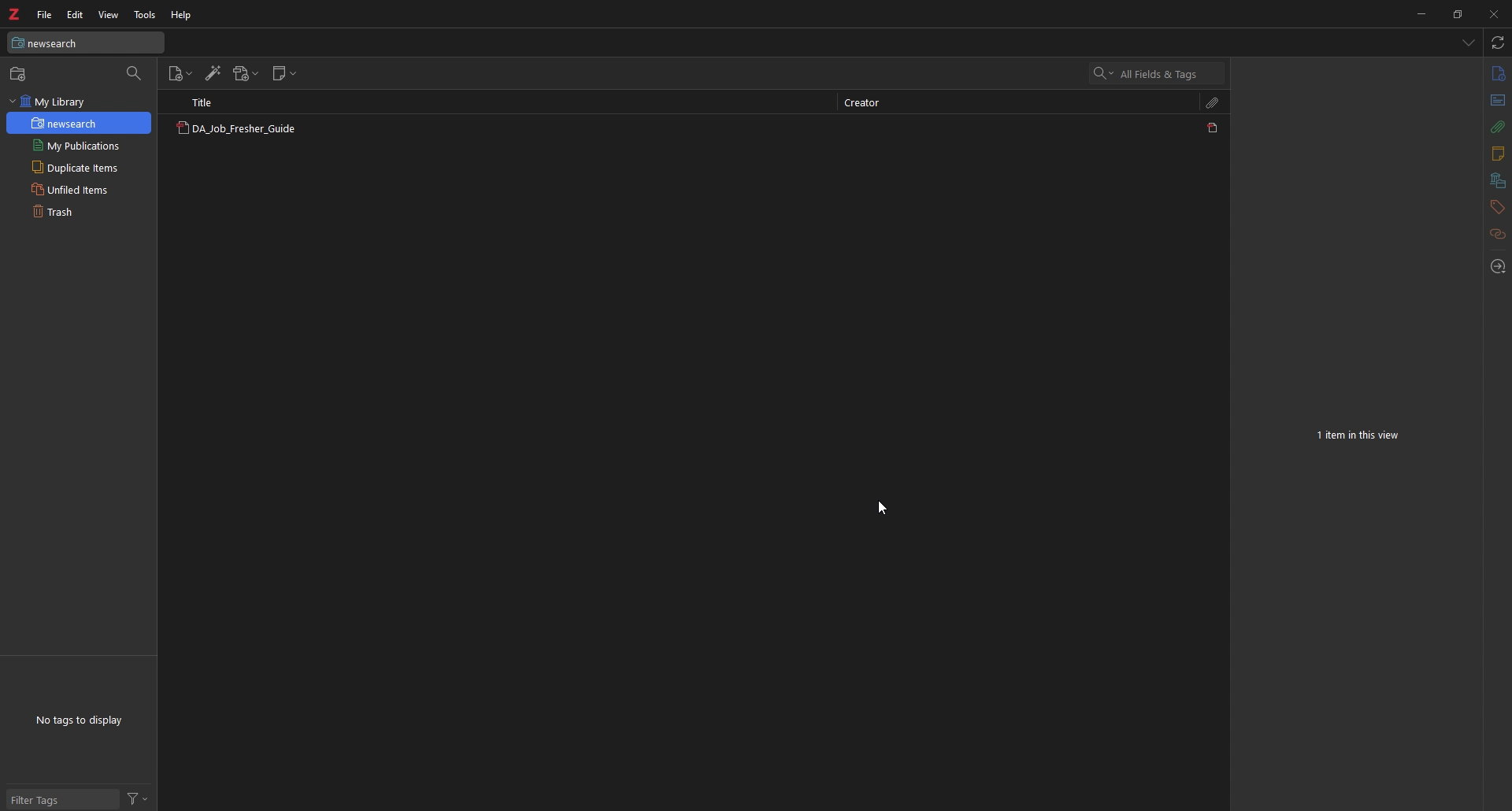 The image size is (1512, 811). Describe the element at coordinates (1499, 101) in the screenshot. I see `abstract` at that location.